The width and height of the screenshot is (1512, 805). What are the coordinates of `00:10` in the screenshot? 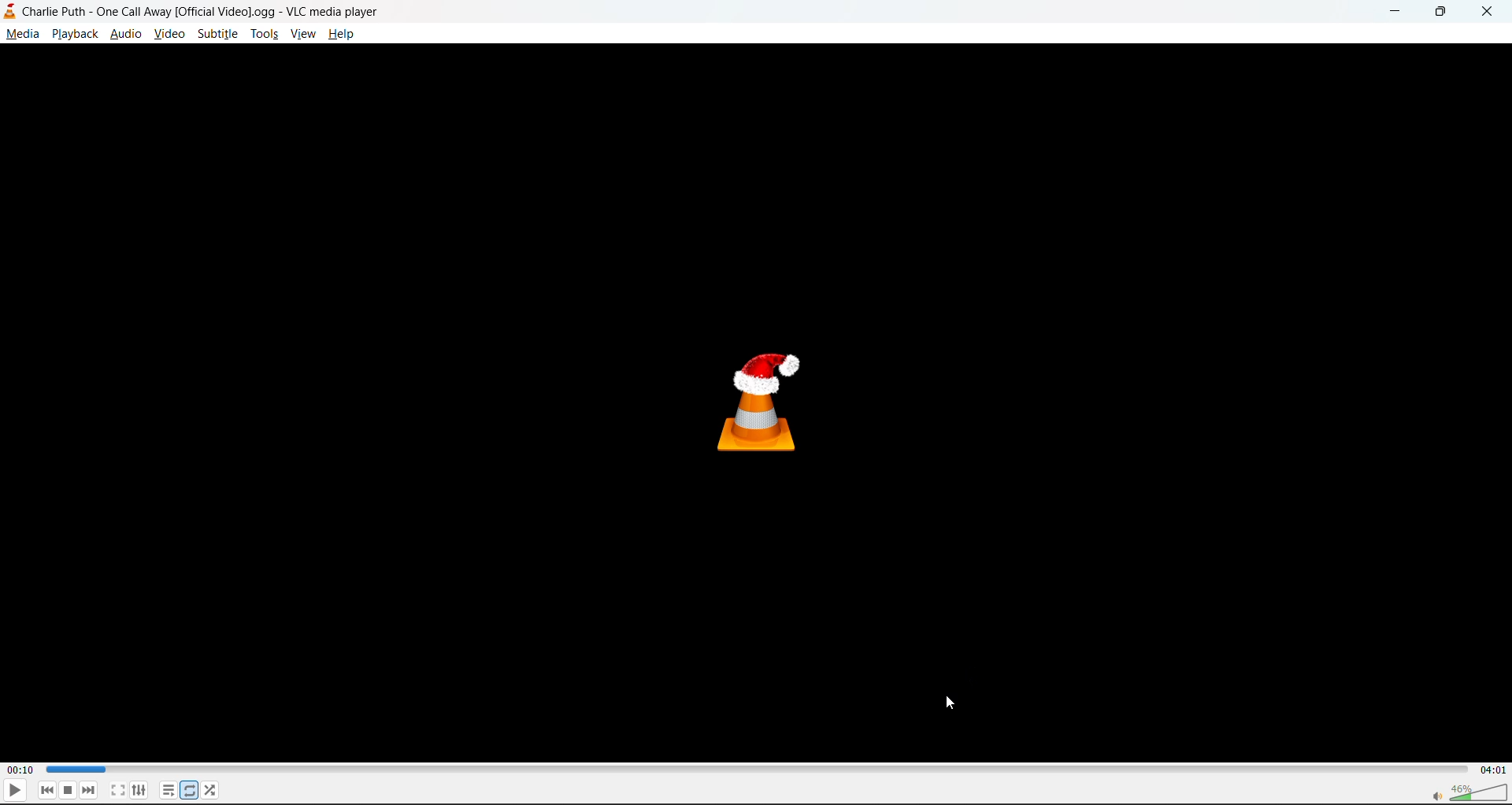 It's located at (22, 766).